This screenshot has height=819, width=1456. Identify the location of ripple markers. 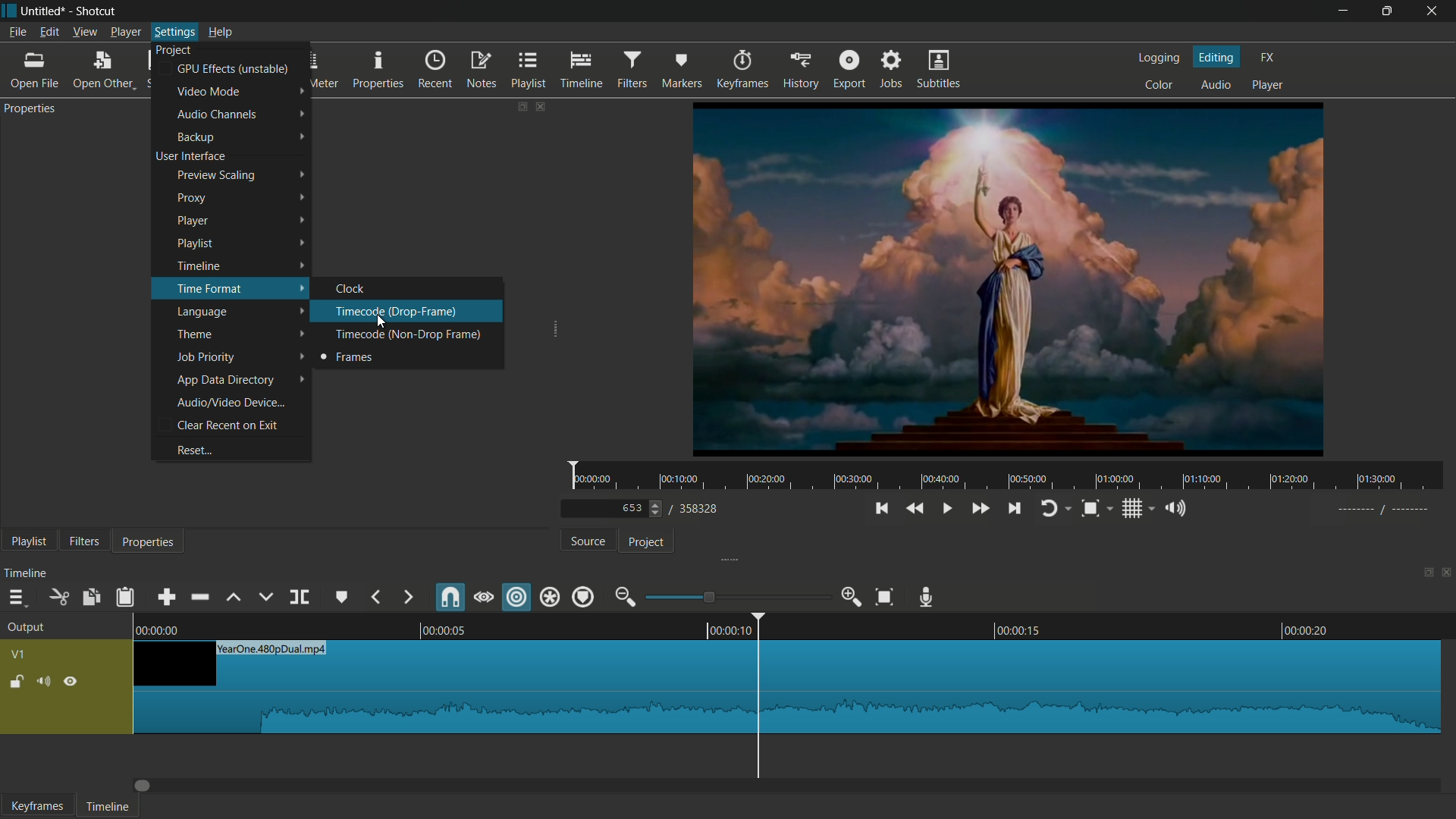
(585, 598).